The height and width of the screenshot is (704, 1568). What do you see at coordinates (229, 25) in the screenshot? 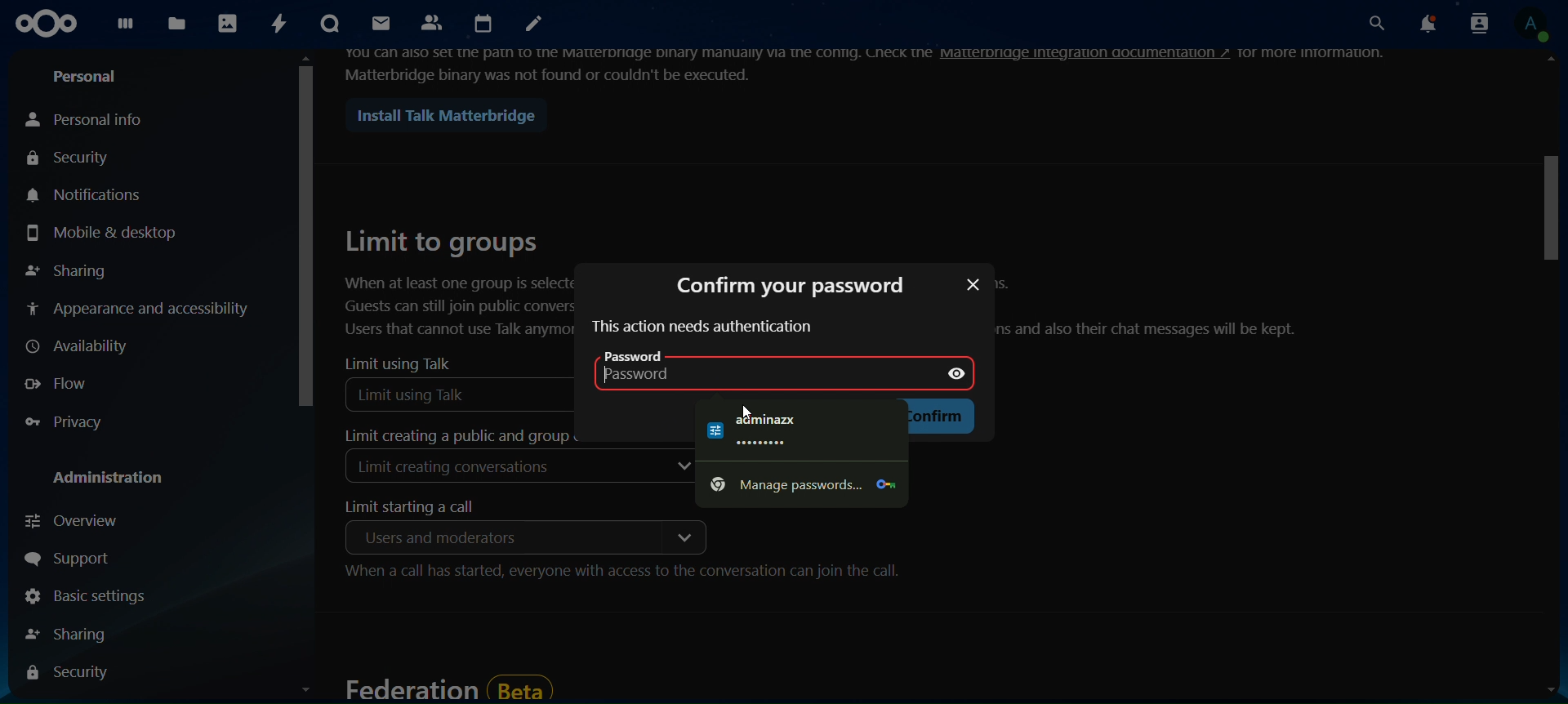
I see `photos` at bounding box center [229, 25].